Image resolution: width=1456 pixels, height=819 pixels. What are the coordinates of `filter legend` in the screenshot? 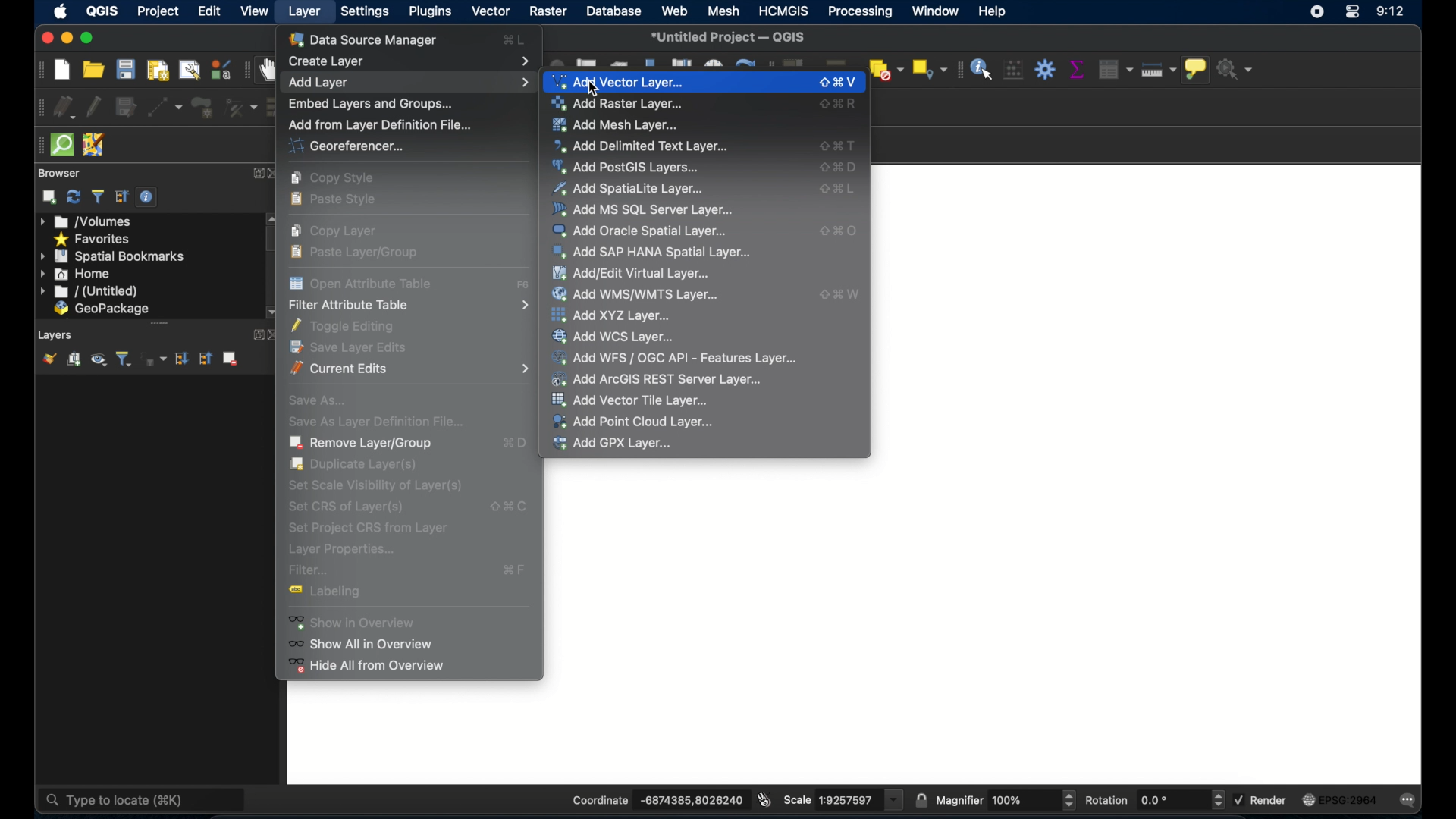 It's located at (126, 359).